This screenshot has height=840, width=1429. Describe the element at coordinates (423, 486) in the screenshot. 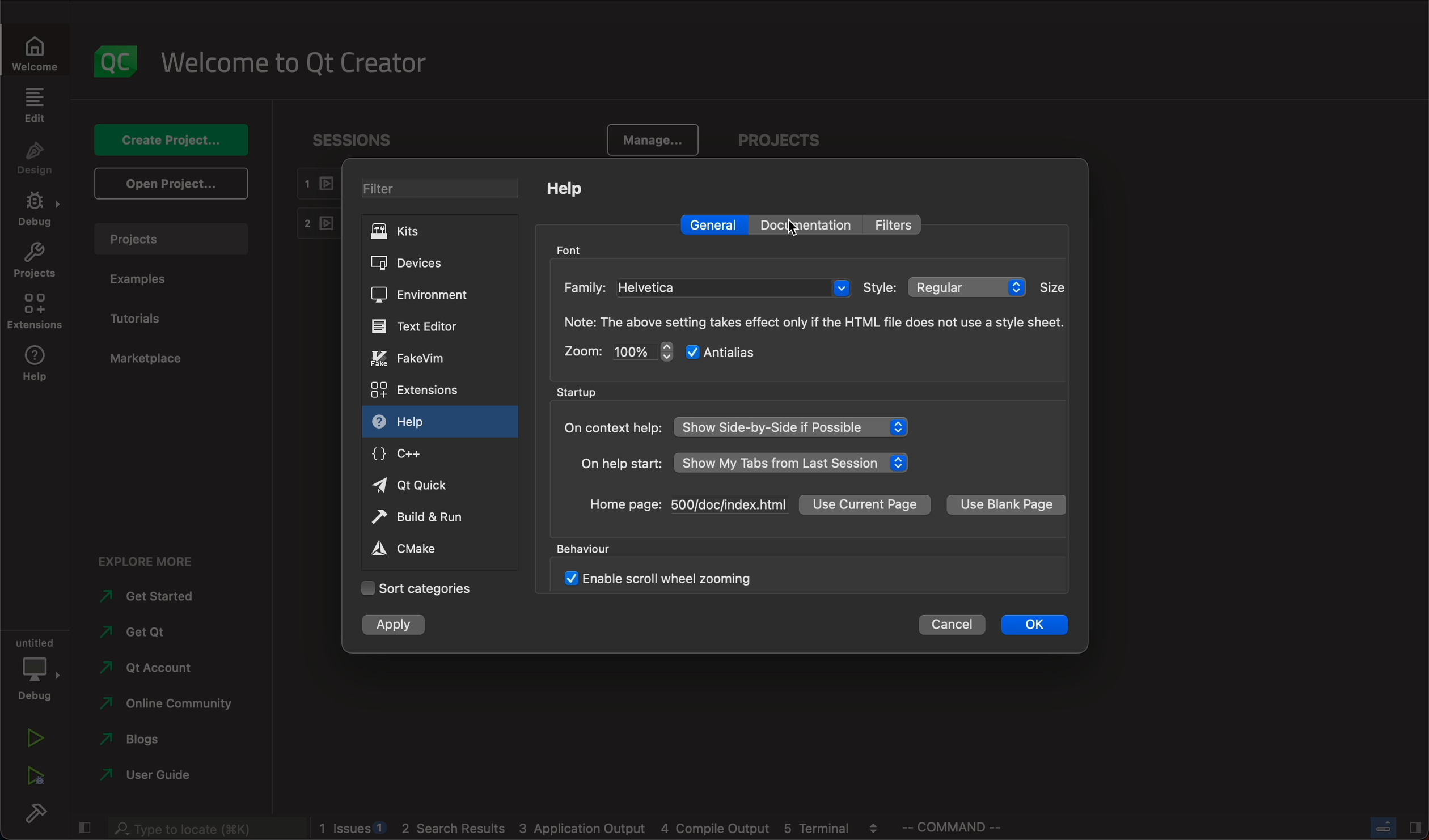

I see `qt` at that location.